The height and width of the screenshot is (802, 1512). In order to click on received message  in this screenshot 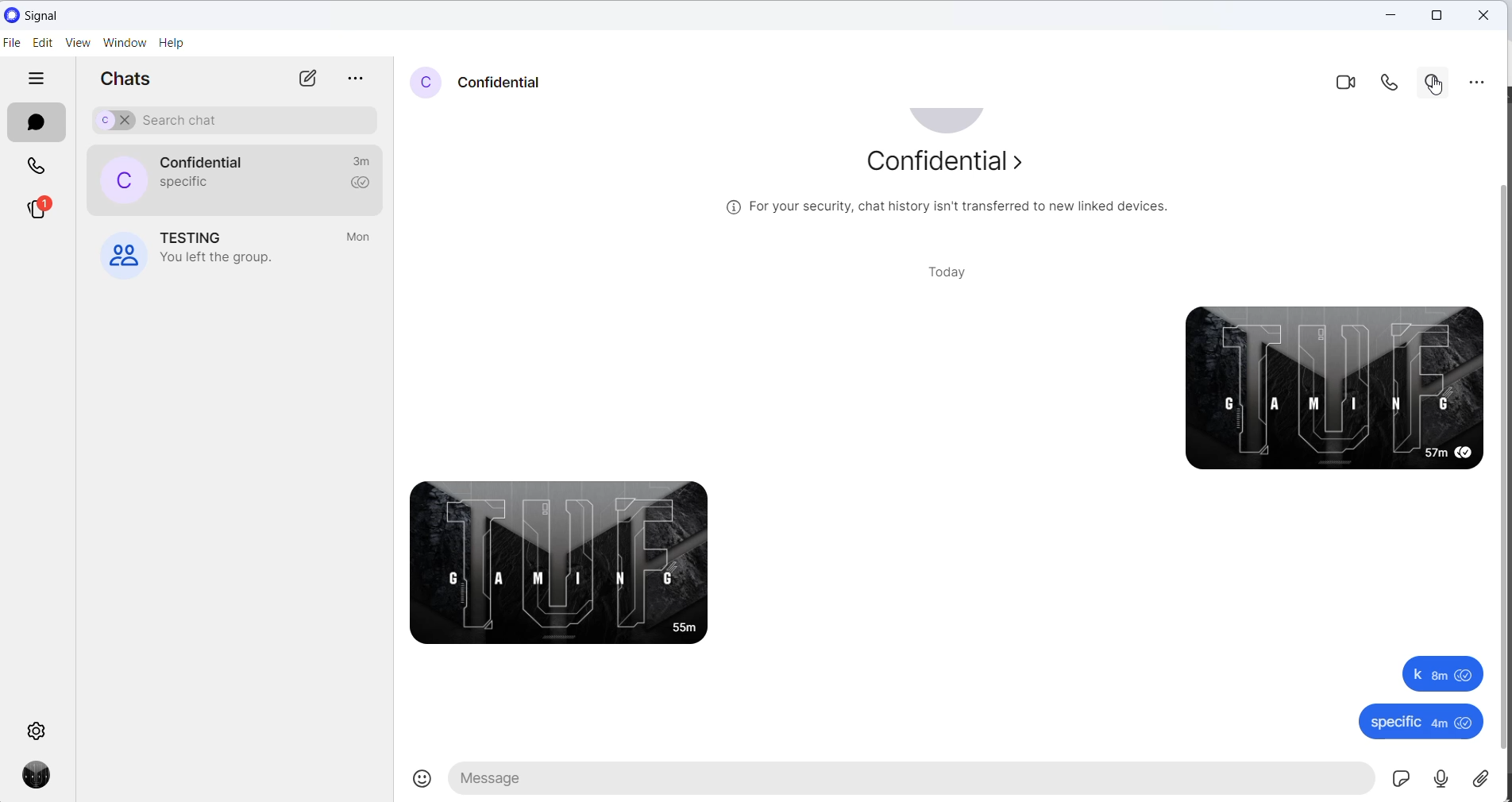, I will do `click(574, 566)`.